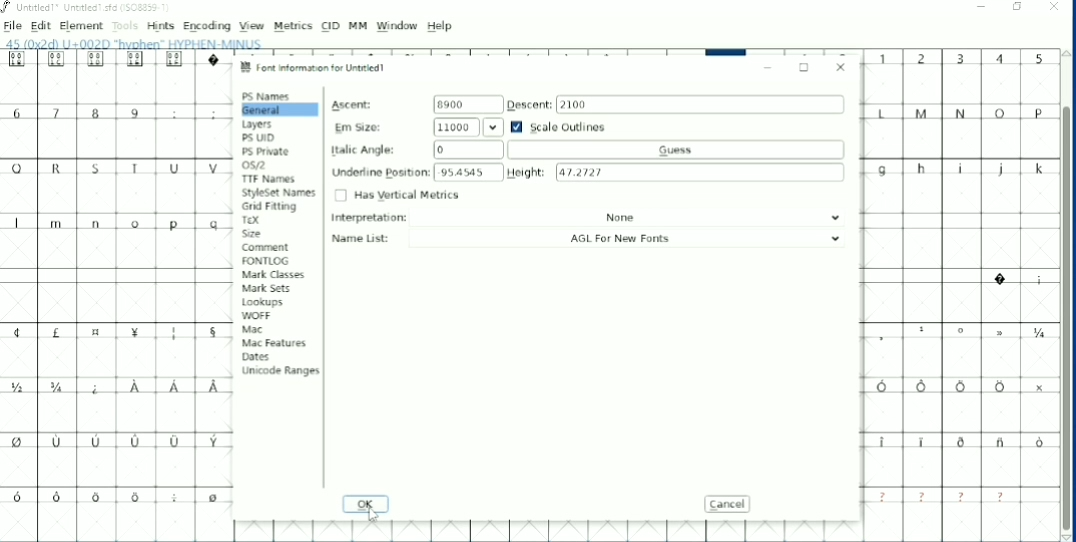 The height and width of the screenshot is (542, 1076). What do you see at coordinates (418, 127) in the screenshot?
I see `Em Size` at bounding box center [418, 127].